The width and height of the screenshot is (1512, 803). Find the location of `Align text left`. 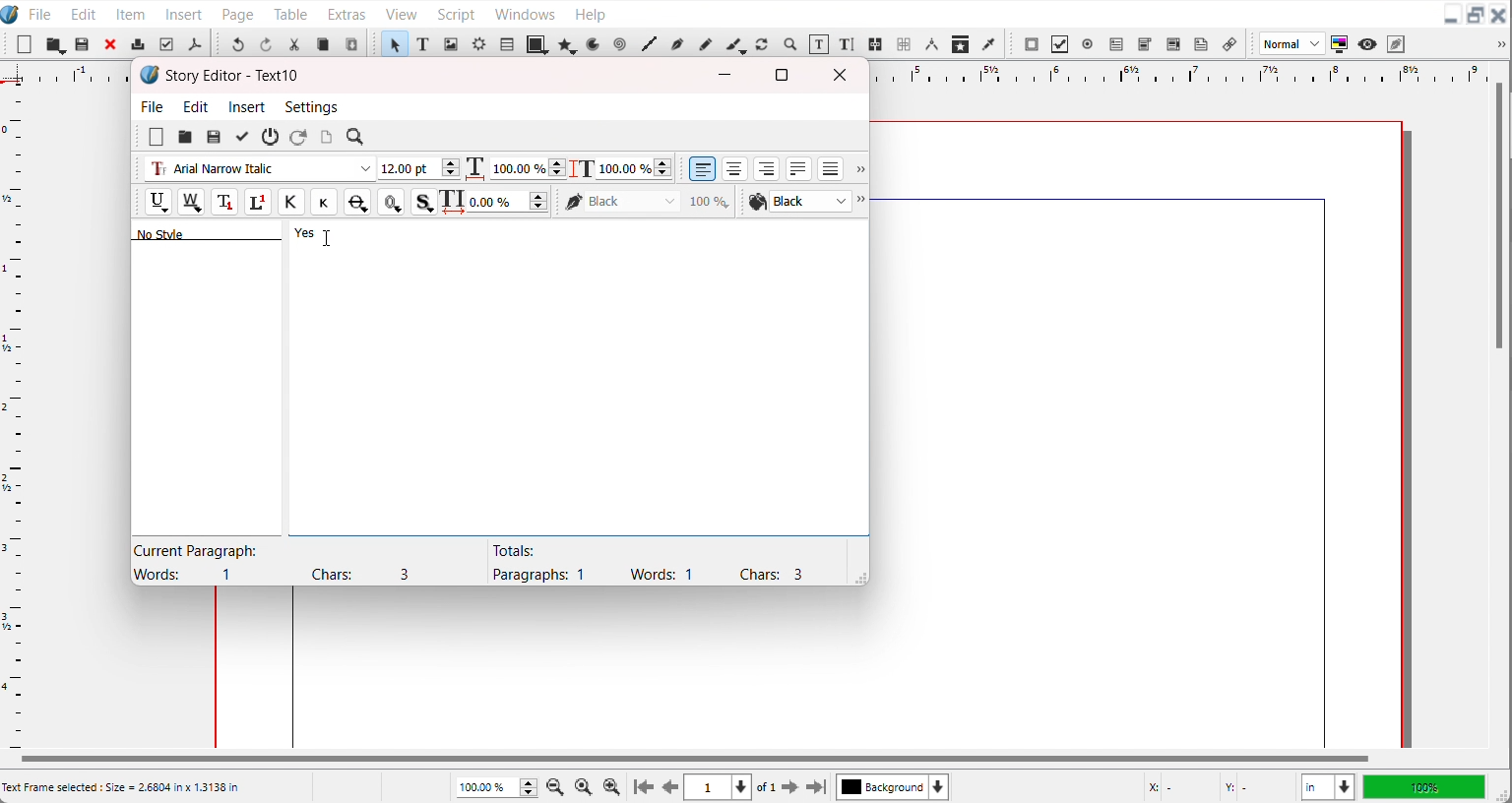

Align text left is located at coordinates (703, 168).